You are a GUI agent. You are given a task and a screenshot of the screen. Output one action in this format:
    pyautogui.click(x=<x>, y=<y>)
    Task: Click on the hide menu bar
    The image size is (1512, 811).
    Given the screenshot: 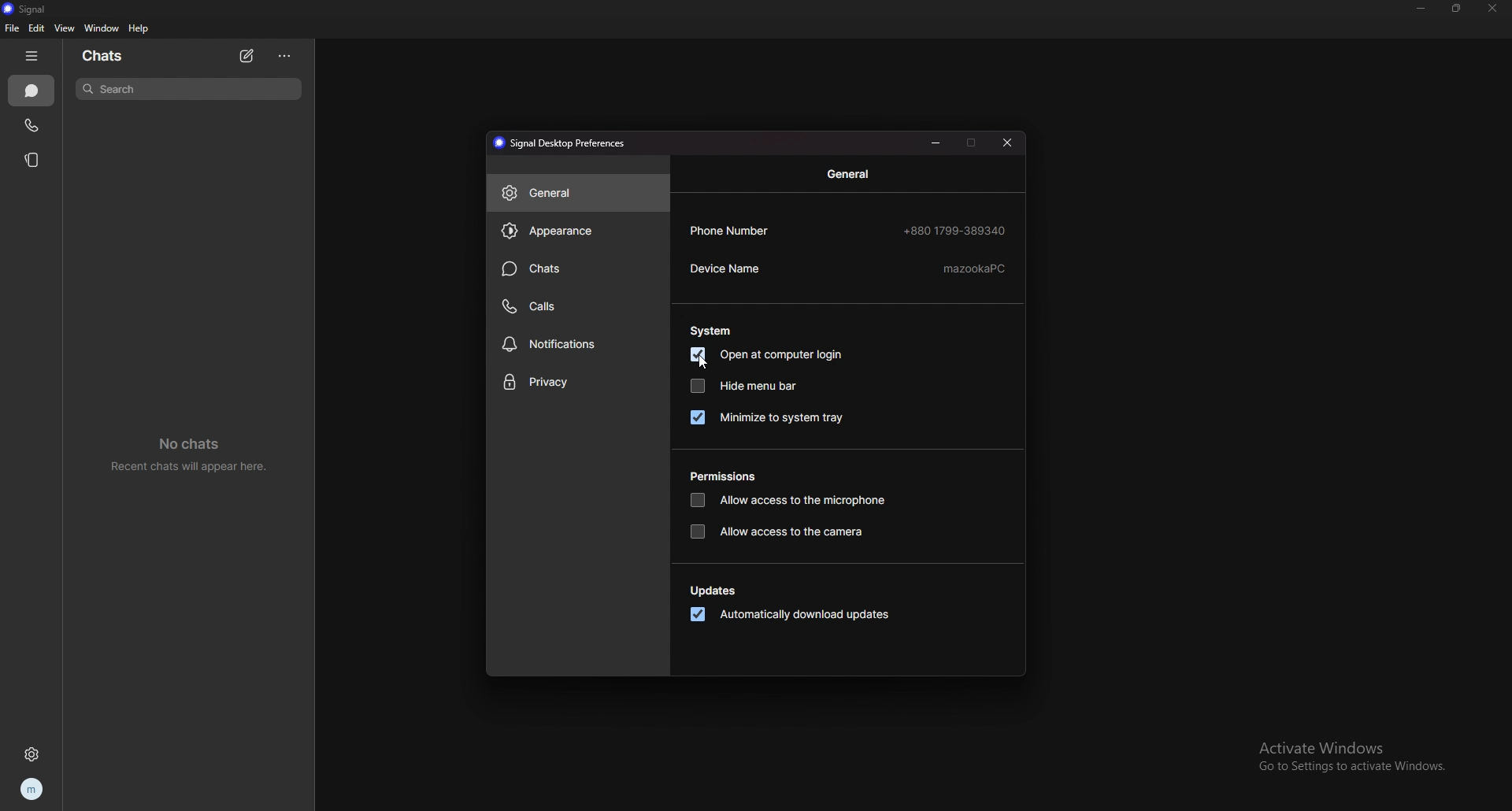 What is the action you would take?
    pyautogui.click(x=744, y=385)
    